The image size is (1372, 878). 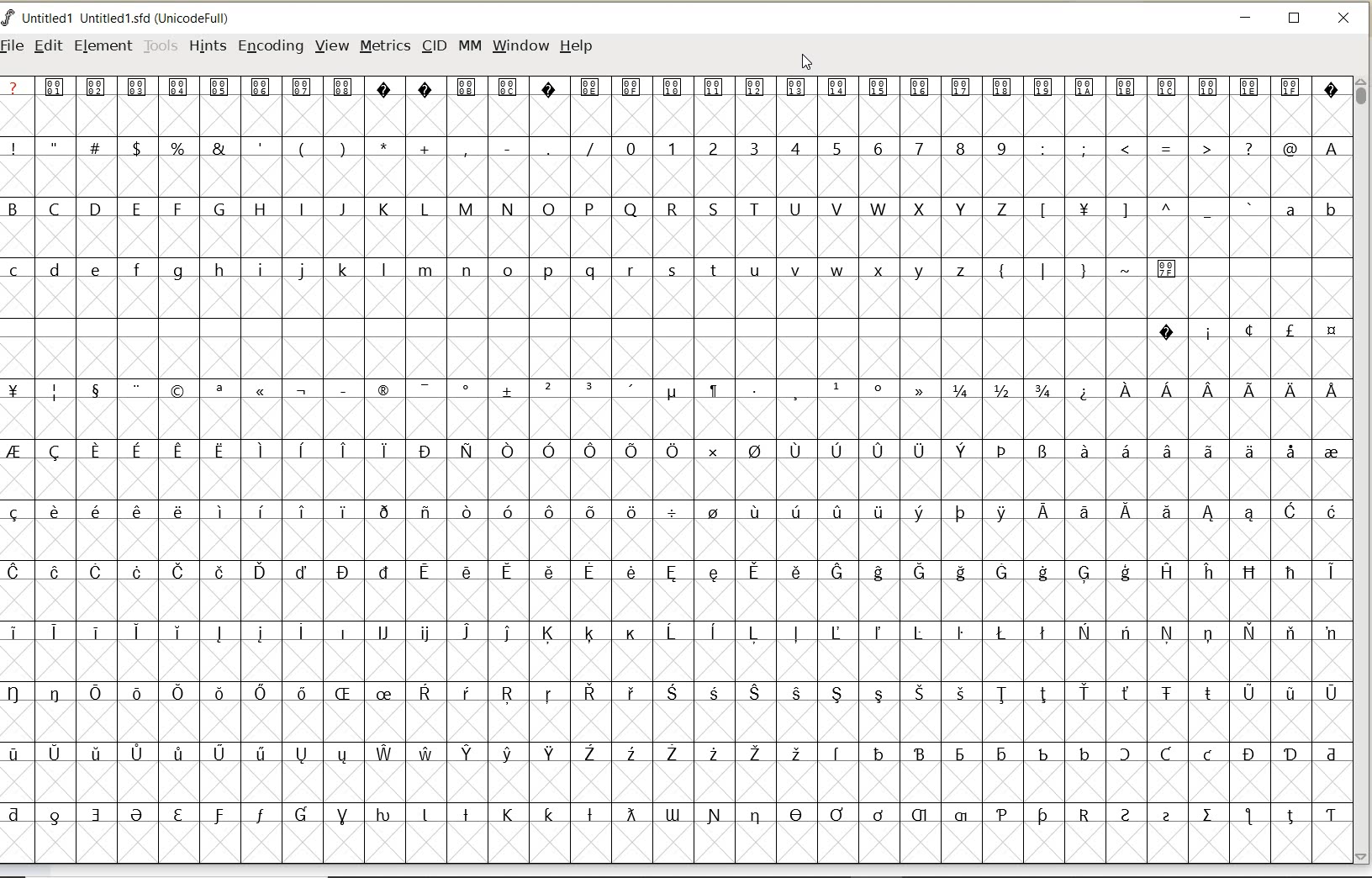 What do you see at coordinates (1295, 21) in the screenshot?
I see `RESTORE` at bounding box center [1295, 21].